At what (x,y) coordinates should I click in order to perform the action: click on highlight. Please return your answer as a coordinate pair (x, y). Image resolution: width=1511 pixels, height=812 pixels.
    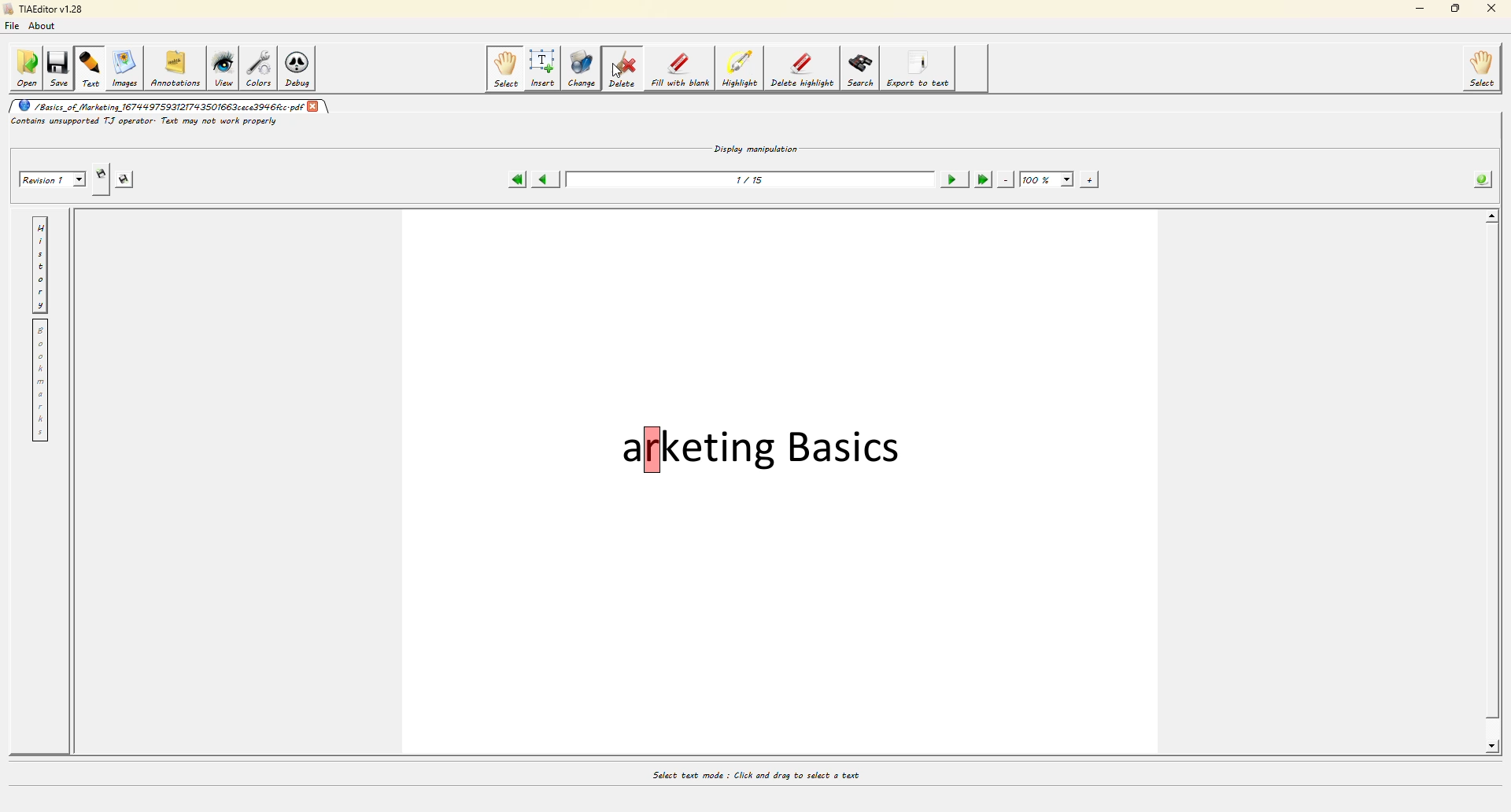
    Looking at the image, I should click on (740, 69).